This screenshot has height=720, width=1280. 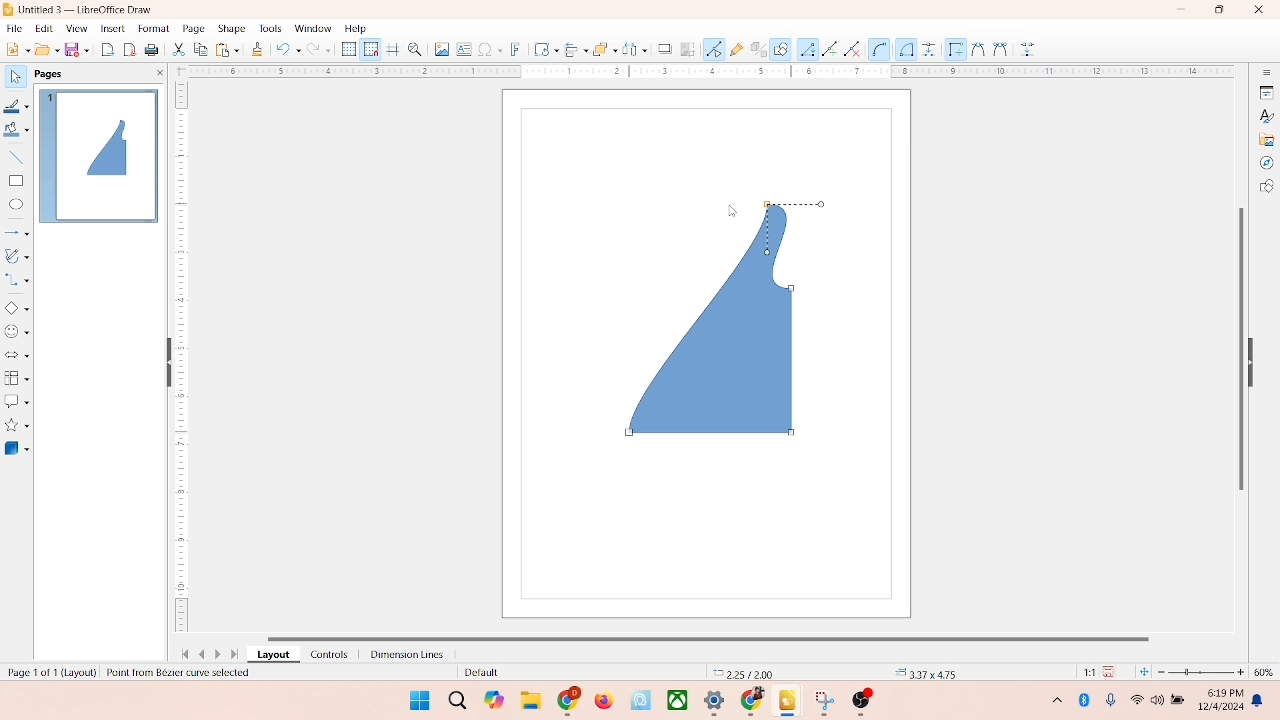 What do you see at coordinates (1183, 9) in the screenshot?
I see `minimize` at bounding box center [1183, 9].